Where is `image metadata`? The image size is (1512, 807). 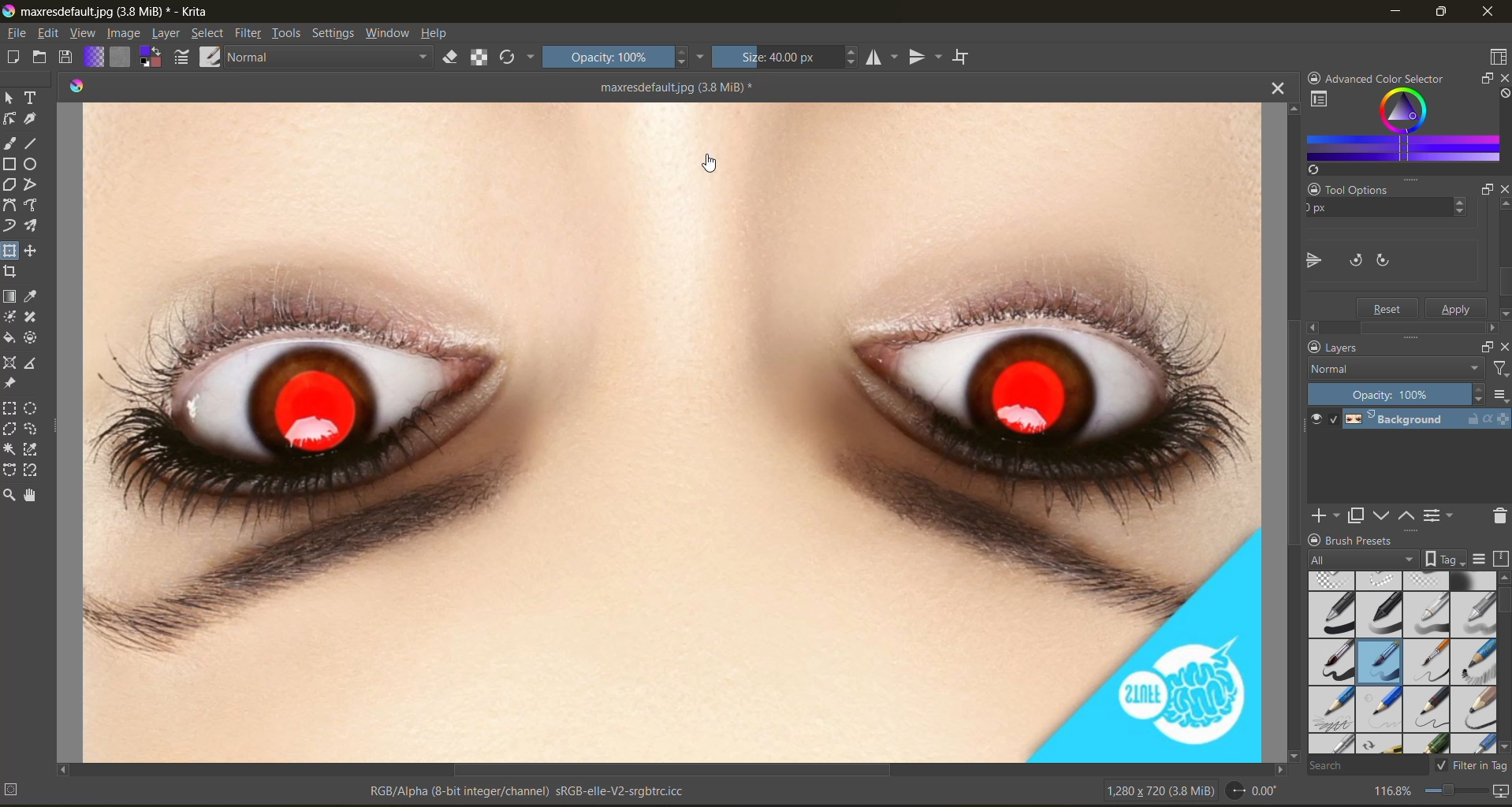 image metadata is located at coordinates (1159, 794).